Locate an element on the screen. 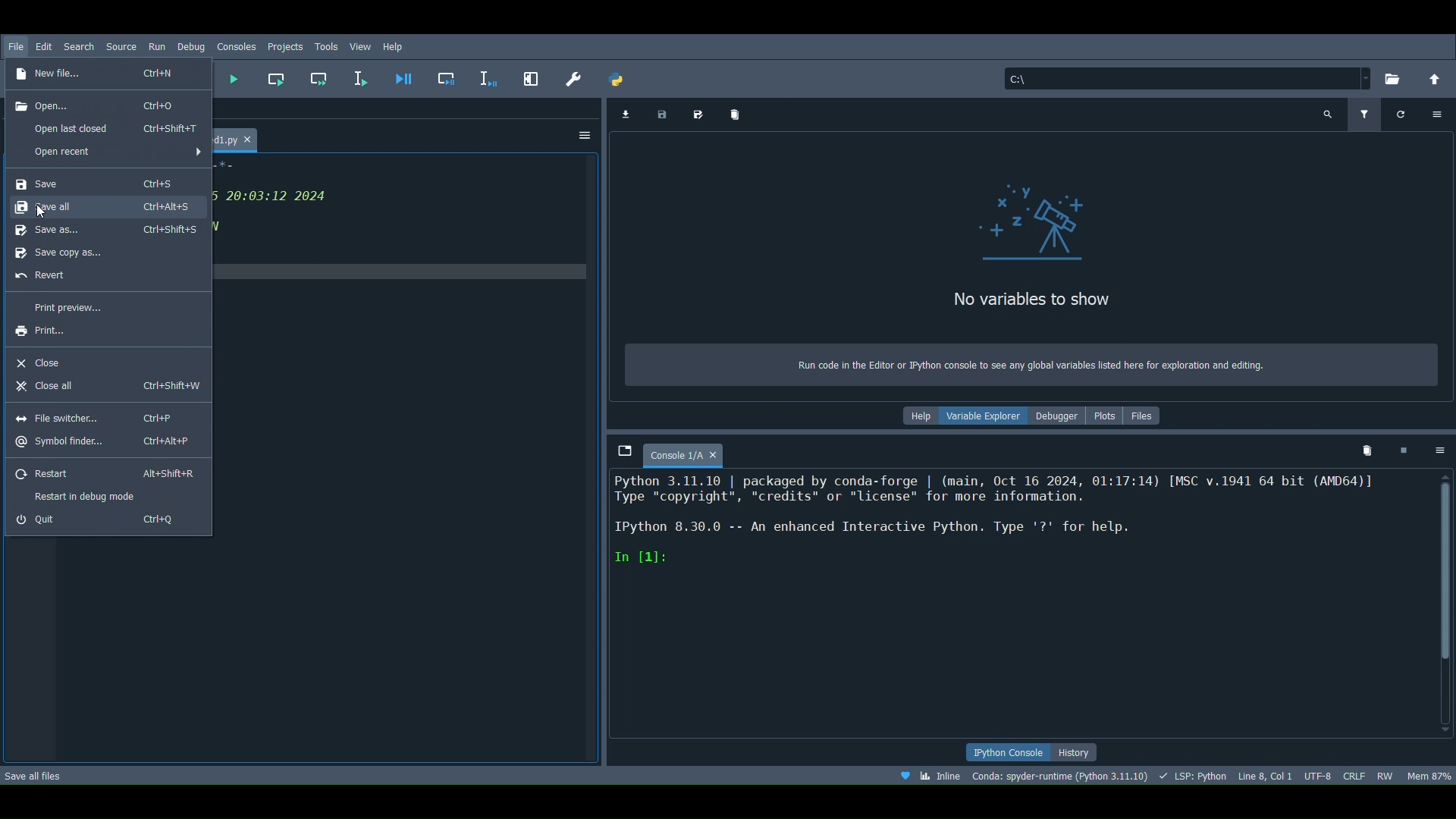 This screenshot has height=819, width=1456. Debug is located at coordinates (191, 45).